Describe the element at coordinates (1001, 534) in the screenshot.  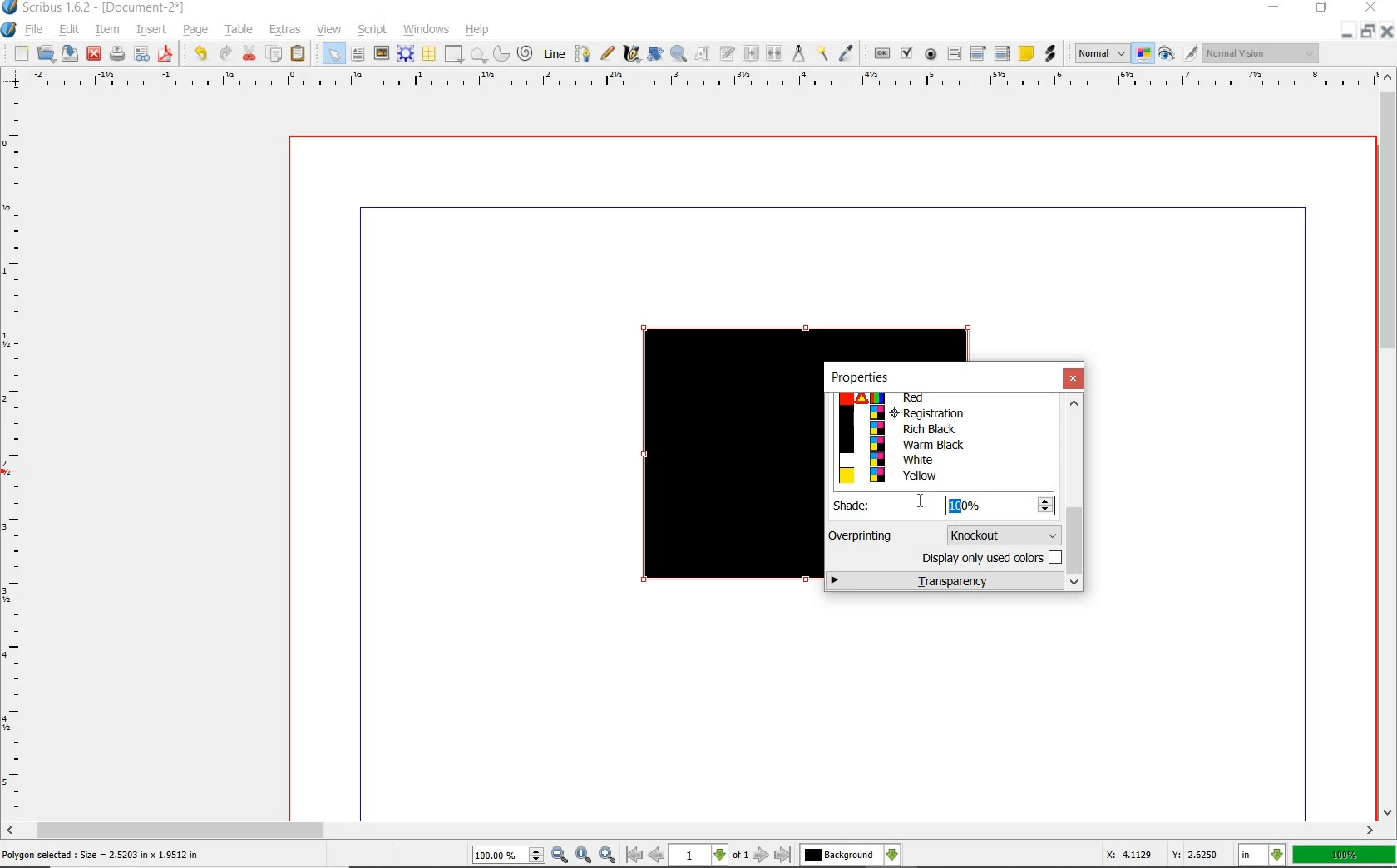
I see `knockout` at that location.